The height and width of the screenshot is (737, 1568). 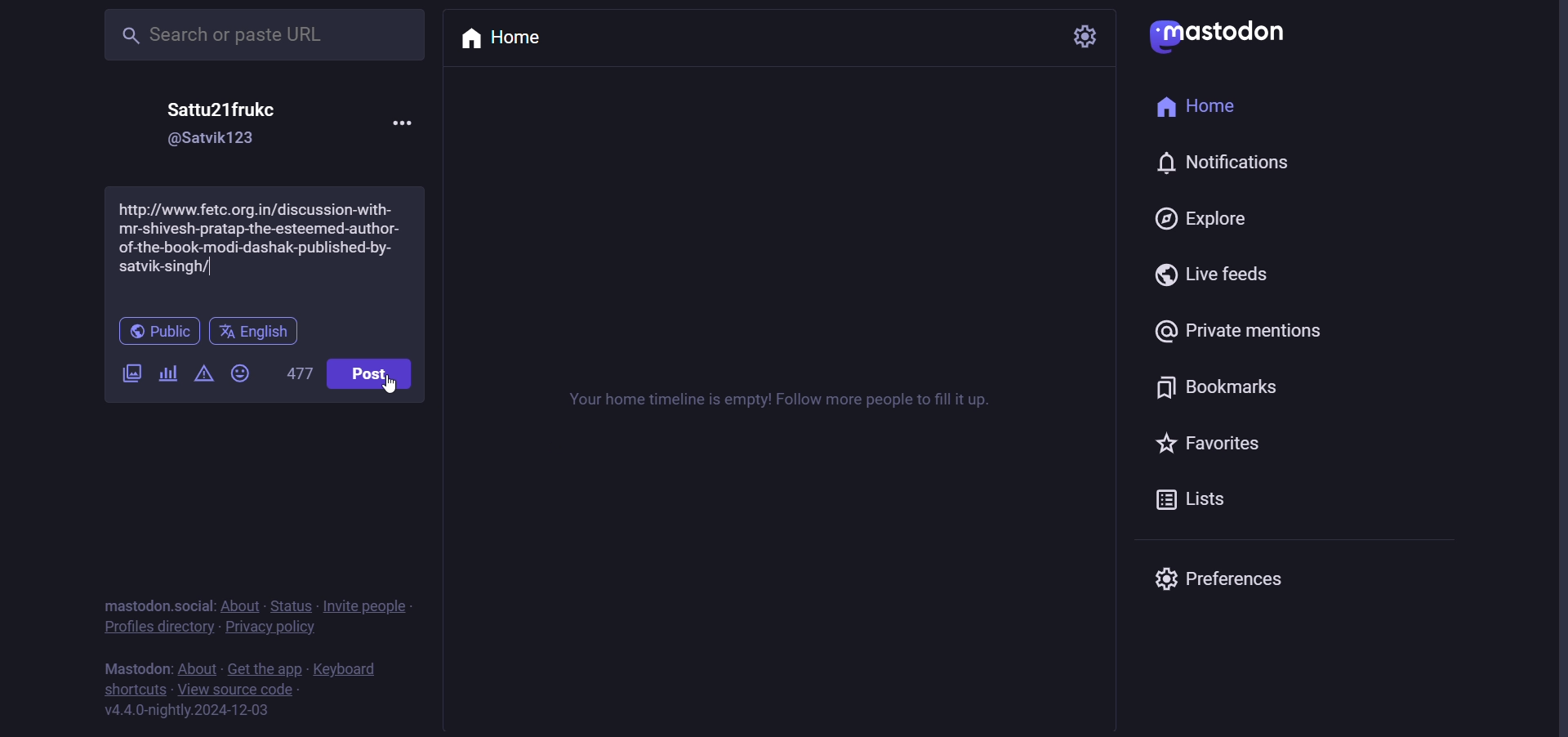 I want to click on setting, so click(x=1077, y=37).